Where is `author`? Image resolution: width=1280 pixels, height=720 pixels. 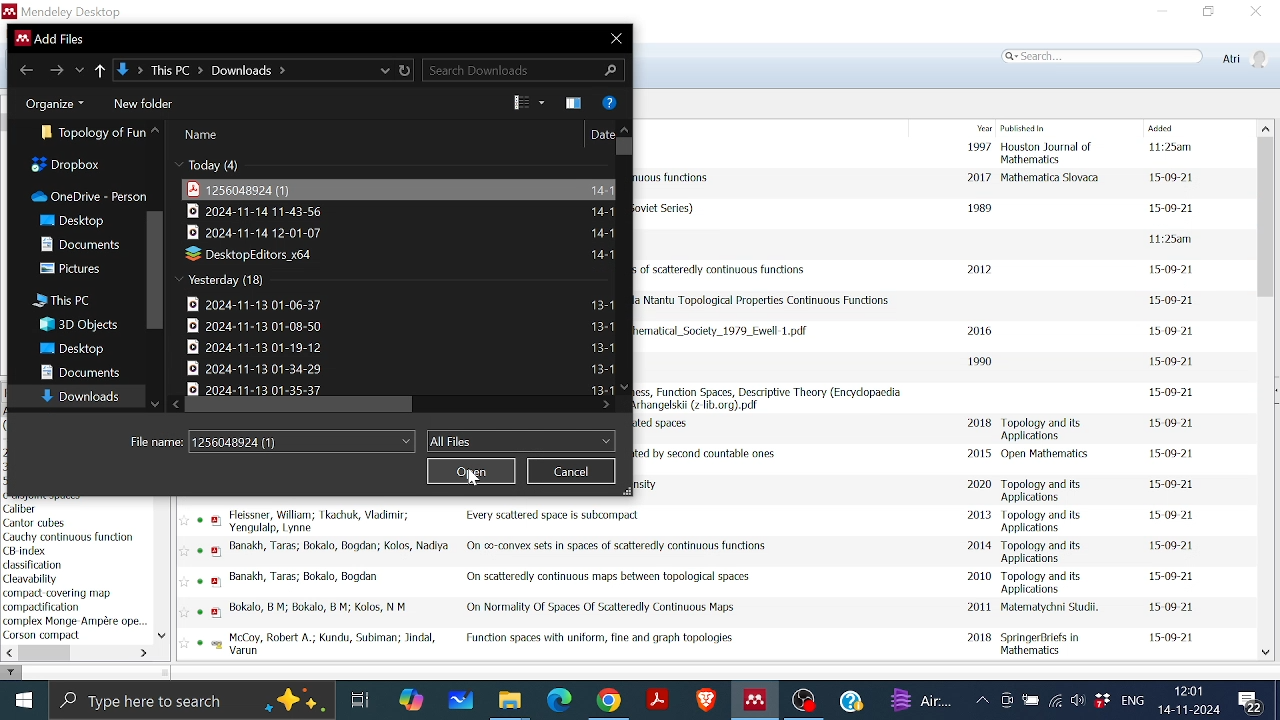 author is located at coordinates (35, 523).